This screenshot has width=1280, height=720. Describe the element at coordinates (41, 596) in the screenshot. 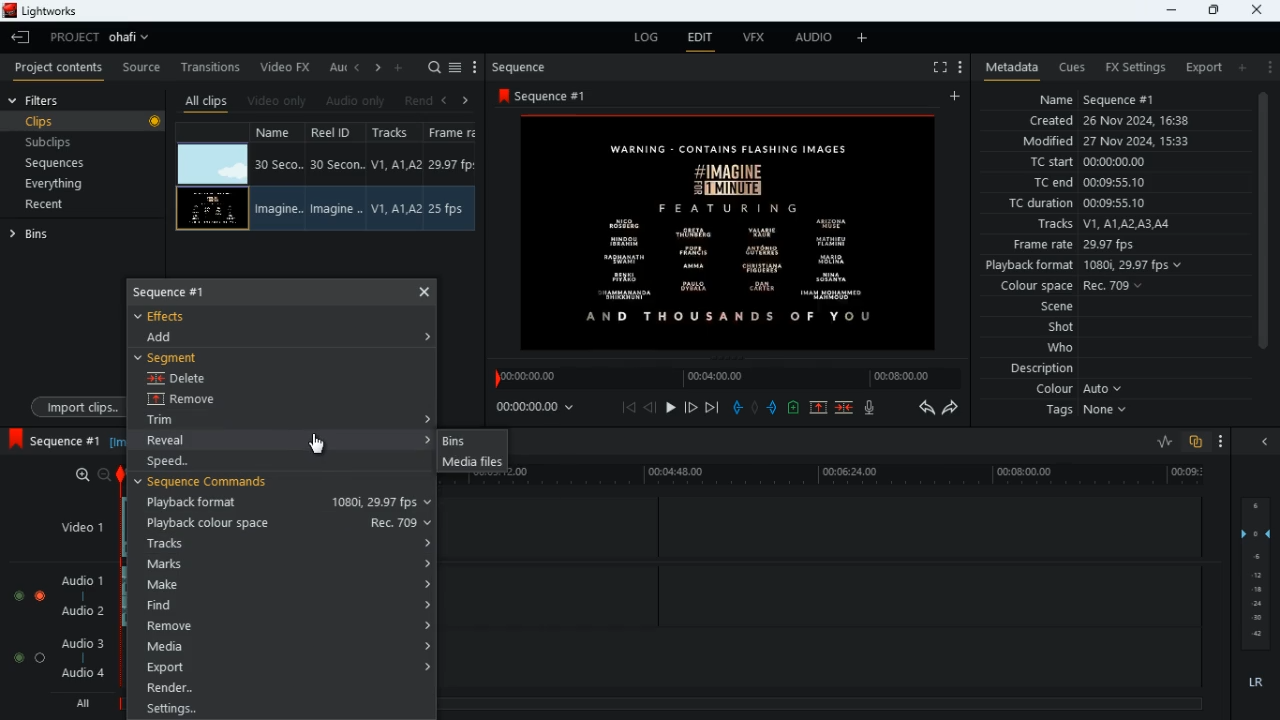

I see `toggle` at that location.